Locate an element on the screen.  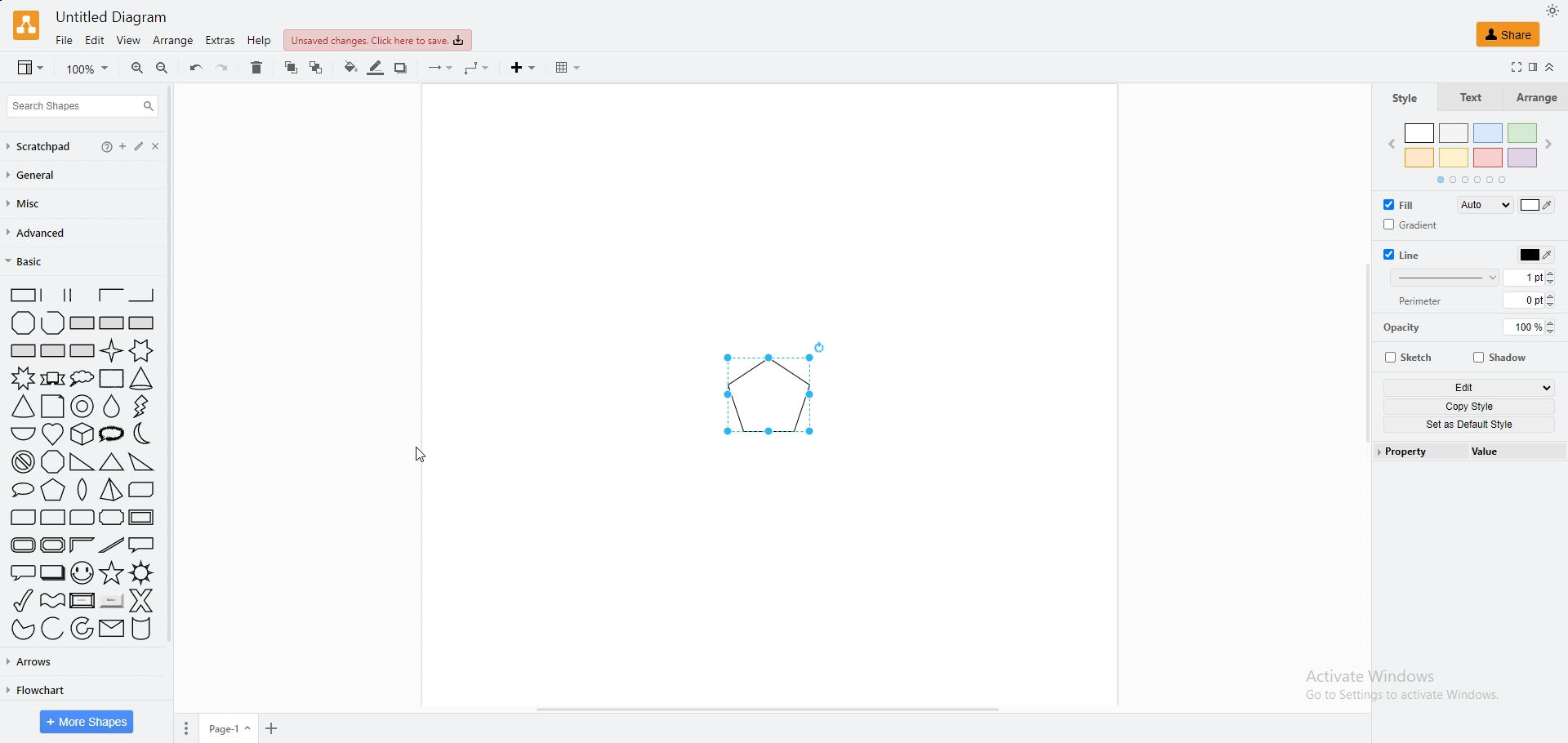
view is located at coordinates (129, 41).